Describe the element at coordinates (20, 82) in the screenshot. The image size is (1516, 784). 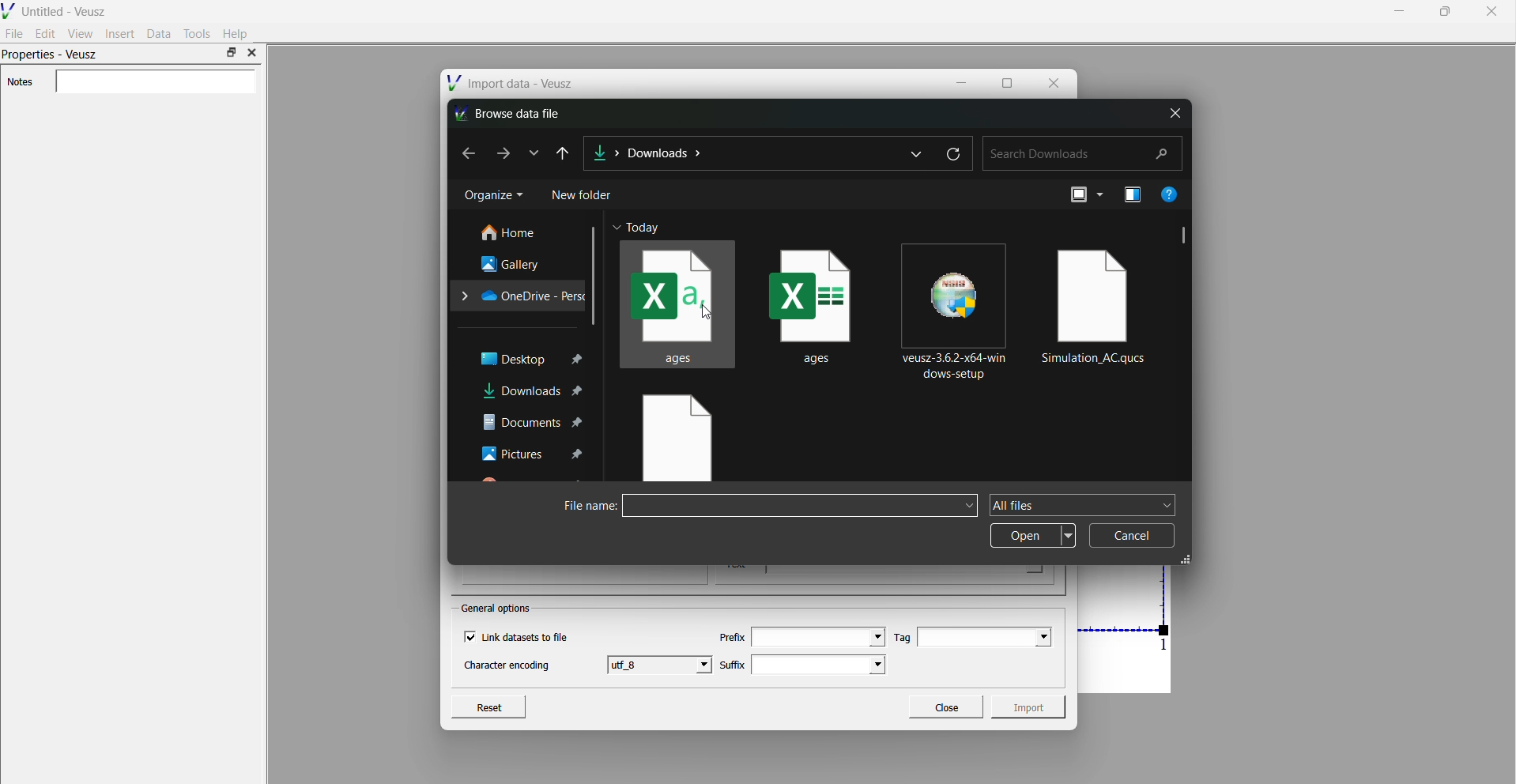
I see `Notes` at that location.